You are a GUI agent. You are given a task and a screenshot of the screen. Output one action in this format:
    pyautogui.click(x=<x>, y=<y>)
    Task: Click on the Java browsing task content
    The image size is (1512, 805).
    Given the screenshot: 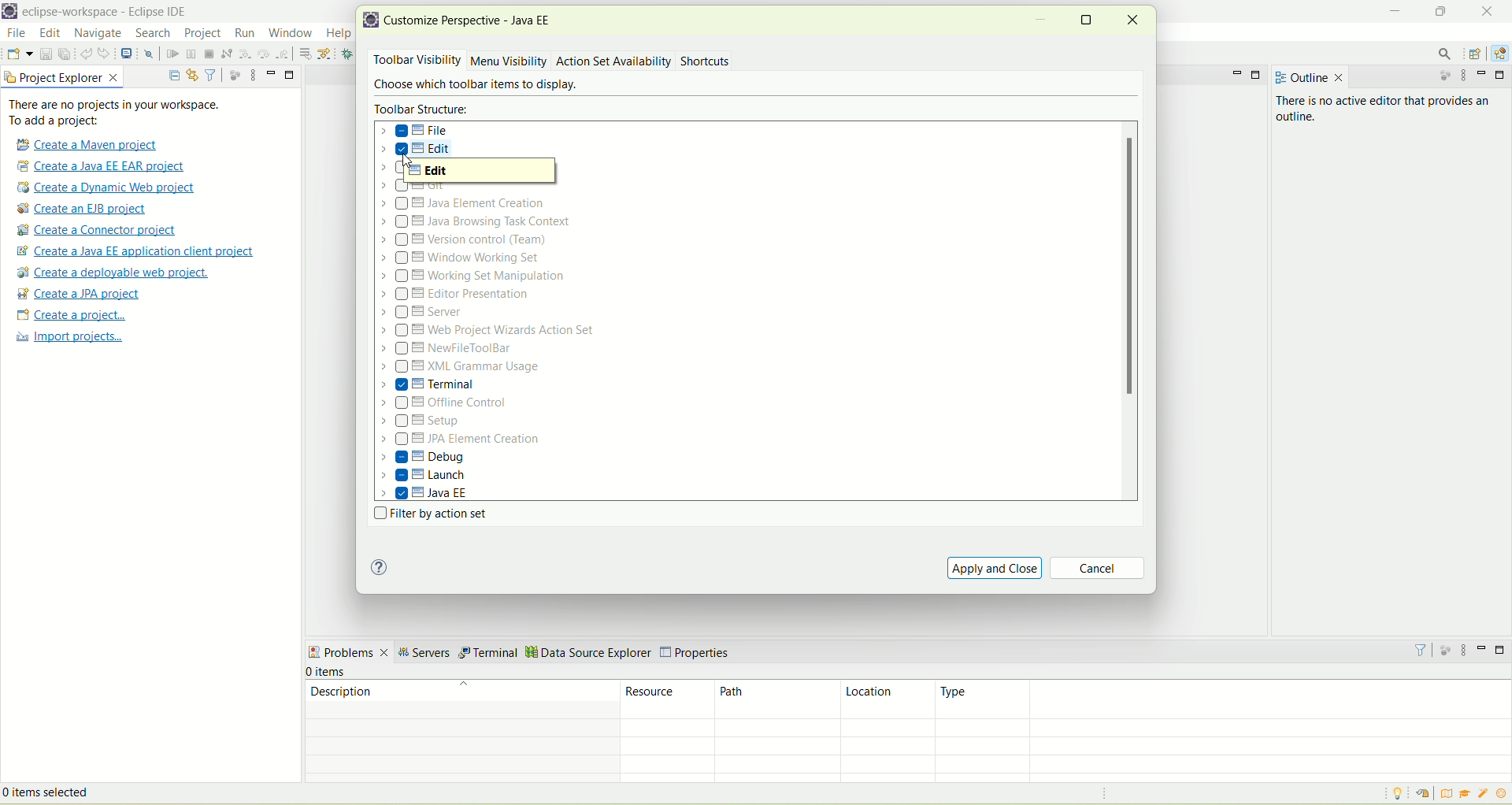 What is the action you would take?
    pyautogui.click(x=476, y=221)
    